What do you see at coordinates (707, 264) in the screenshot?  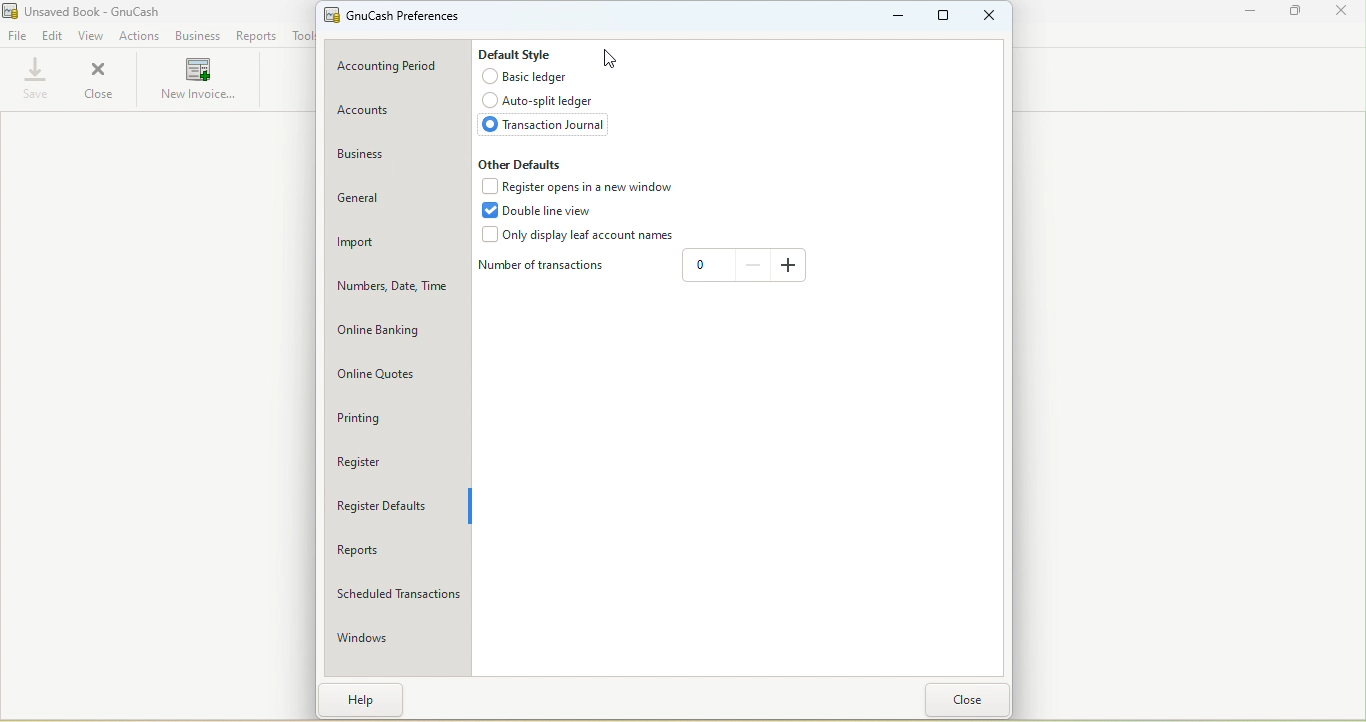 I see `0` at bounding box center [707, 264].